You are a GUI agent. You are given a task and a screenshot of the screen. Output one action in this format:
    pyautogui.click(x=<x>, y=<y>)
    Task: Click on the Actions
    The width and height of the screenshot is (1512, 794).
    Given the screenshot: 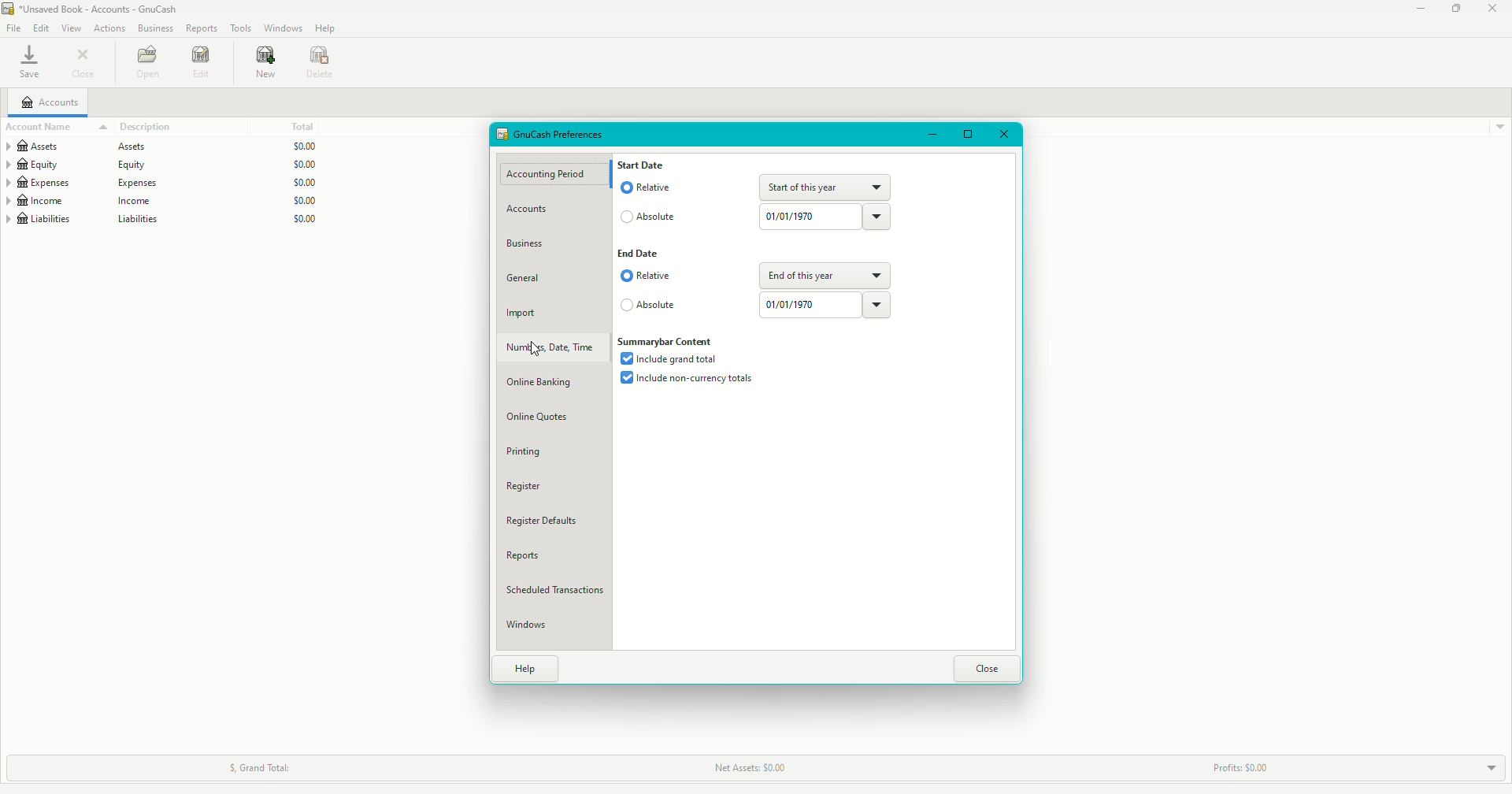 What is the action you would take?
    pyautogui.click(x=109, y=28)
    